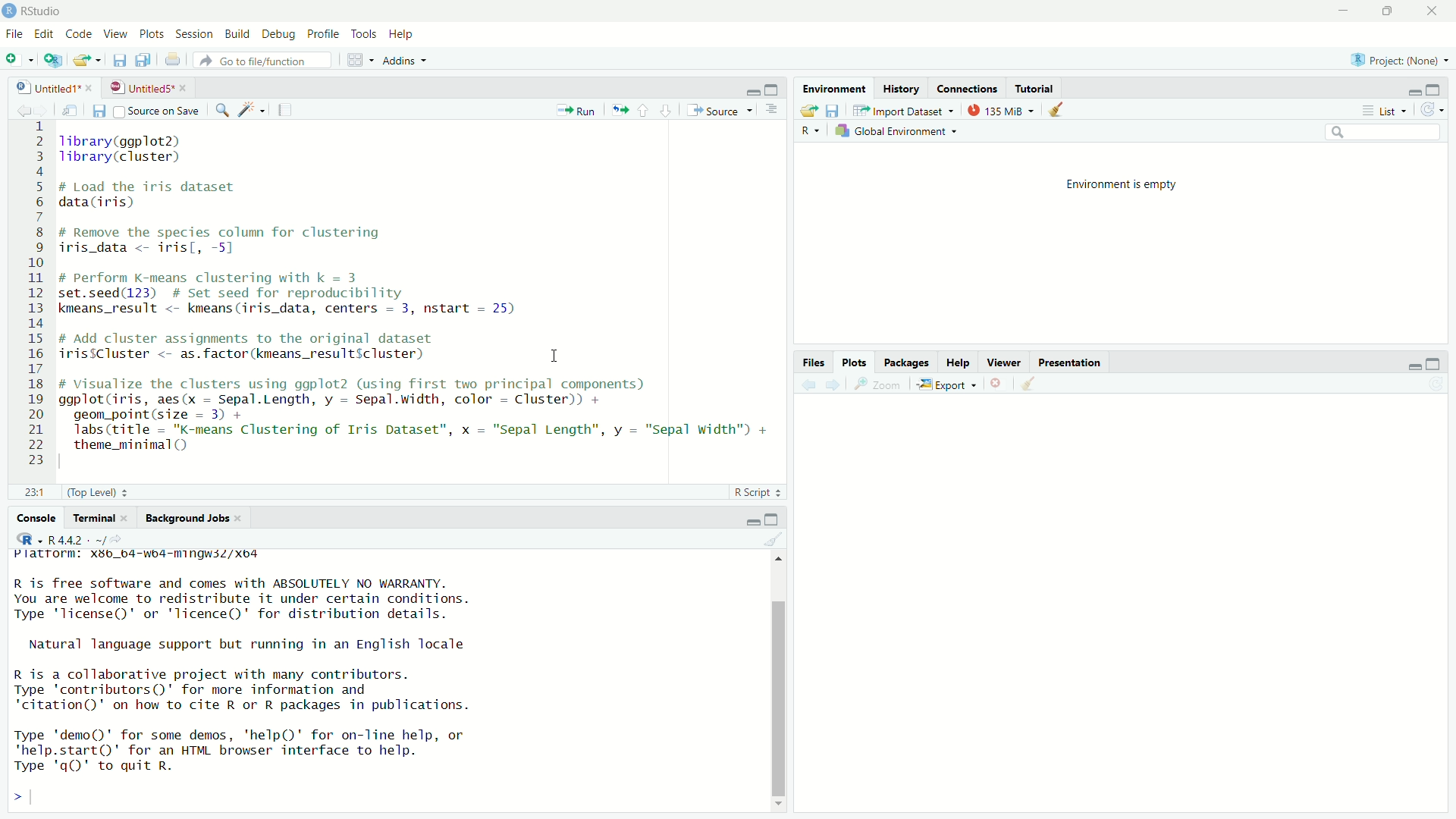 This screenshot has width=1456, height=819. Describe the element at coordinates (804, 385) in the screenshot. I see `previous plot` at that location.